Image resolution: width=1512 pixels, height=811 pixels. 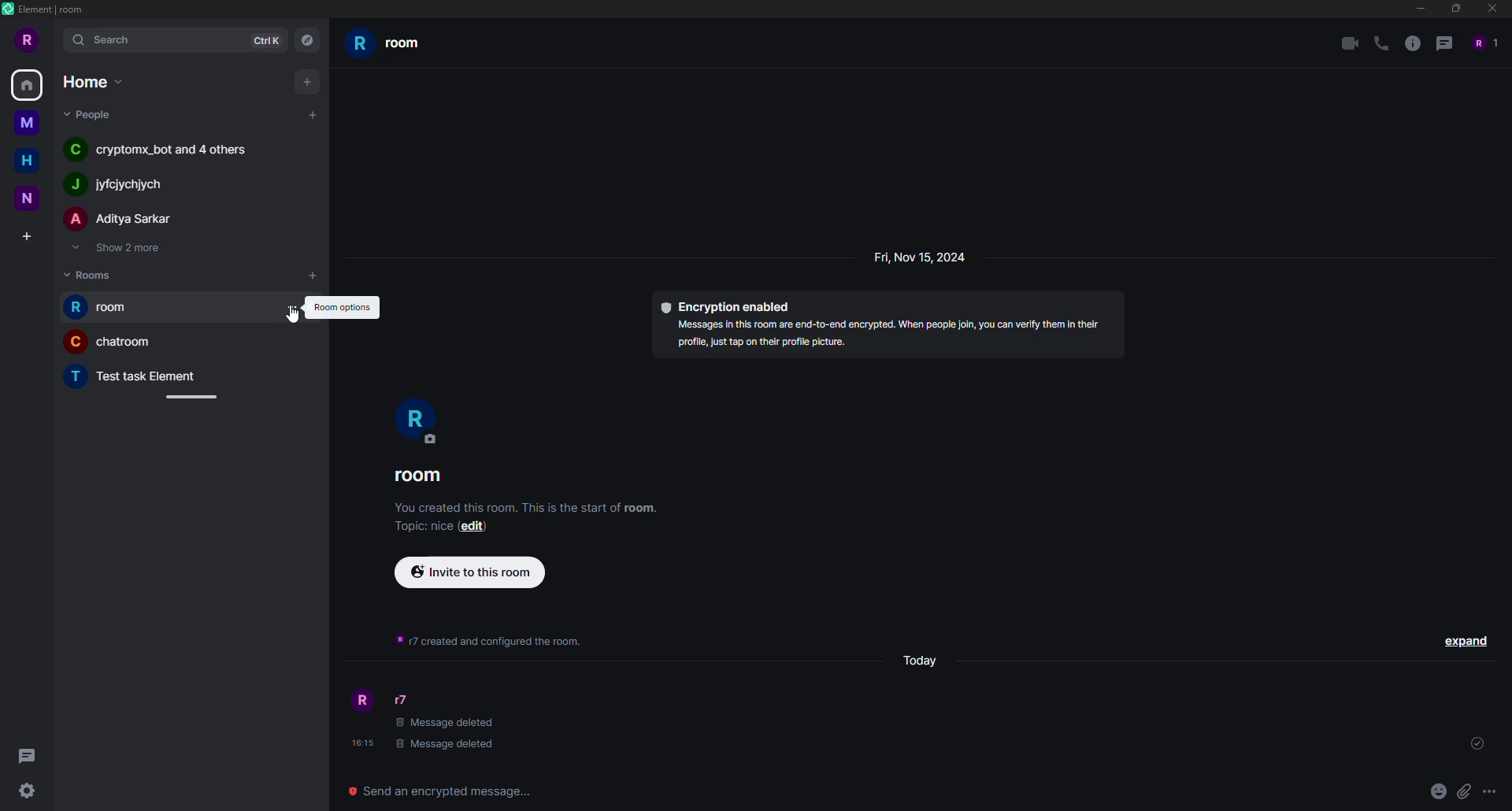 What do you see at coordinates (1458, 9) in the screenshot?
I see `maximize` at bounding box center [1458, 9].